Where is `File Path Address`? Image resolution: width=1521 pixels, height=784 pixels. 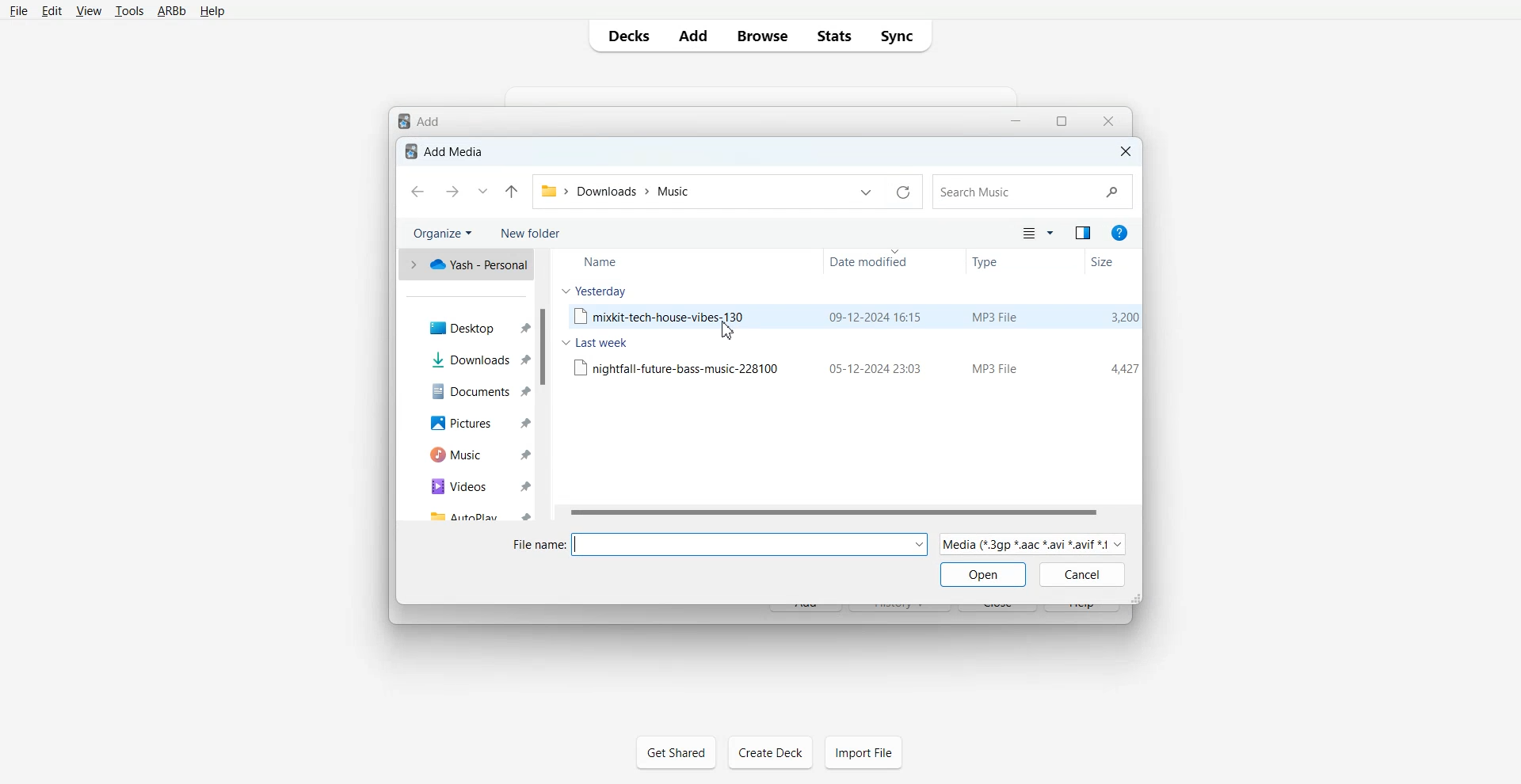
File Path Address is located at coordinates (618, 190).